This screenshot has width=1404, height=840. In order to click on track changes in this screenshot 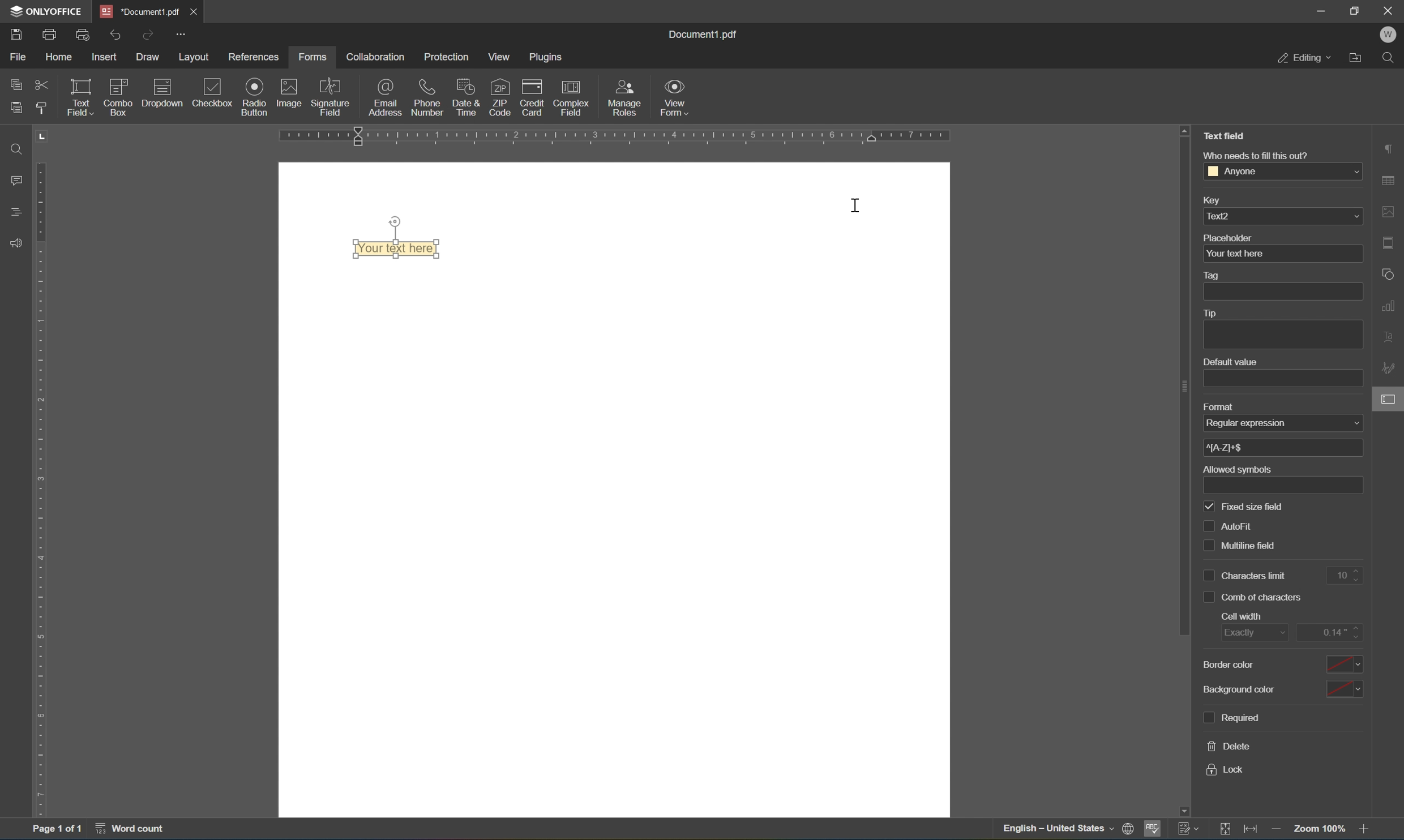, I will do `click(1187, 830)`.